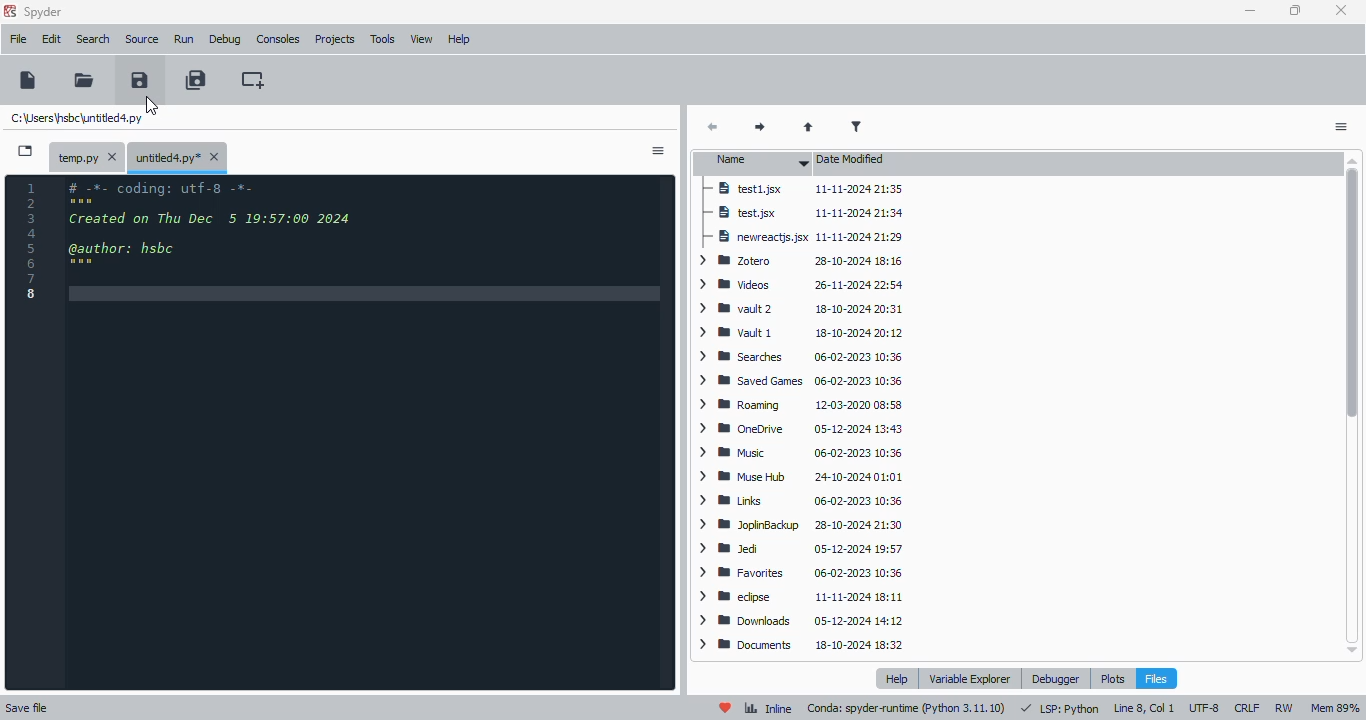  Describe the element at coordinates (18, 39) in the screenshot. I see `file` at that location.